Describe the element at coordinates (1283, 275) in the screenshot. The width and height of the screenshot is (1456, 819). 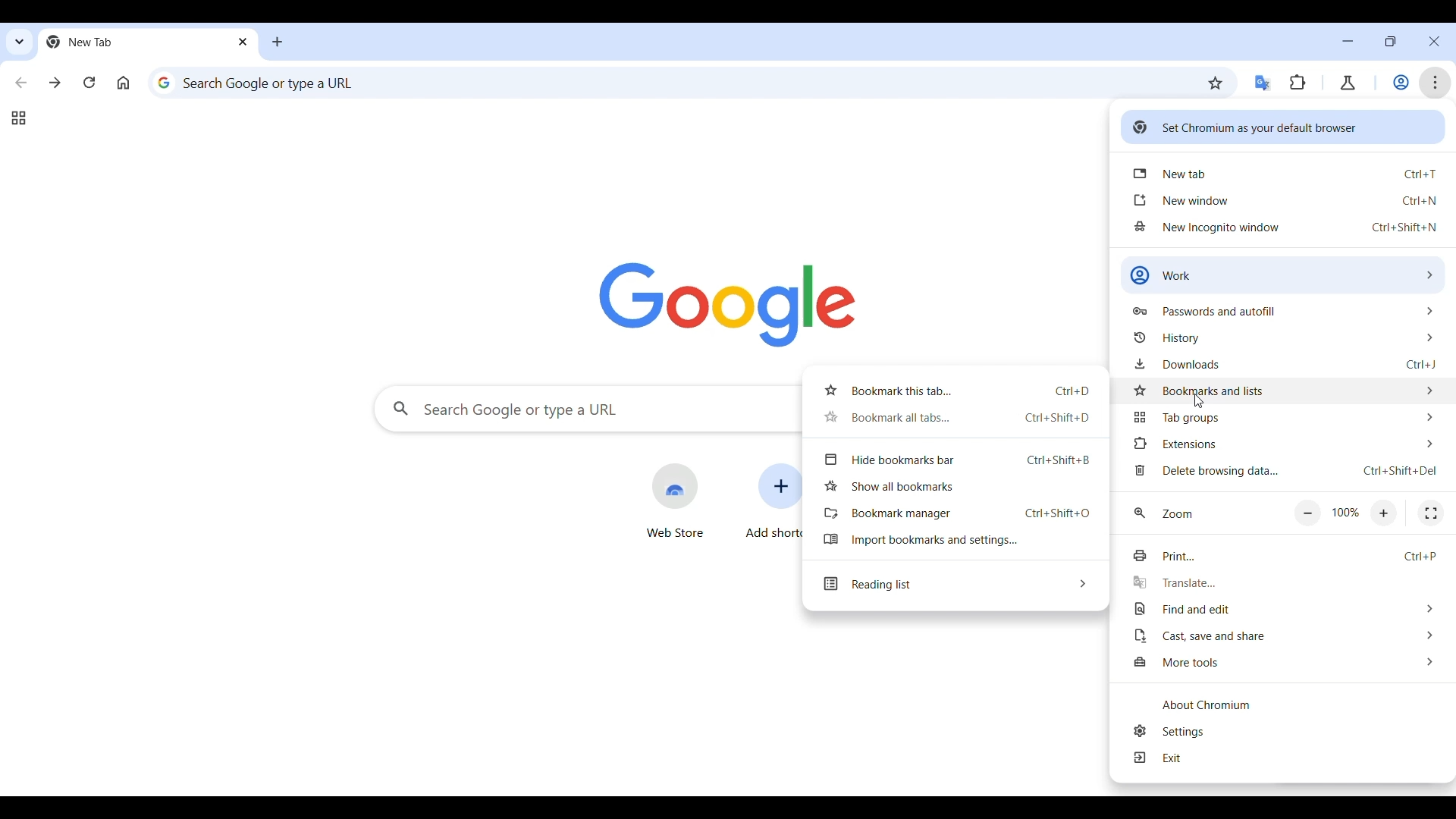
I see `Work ` at that location.